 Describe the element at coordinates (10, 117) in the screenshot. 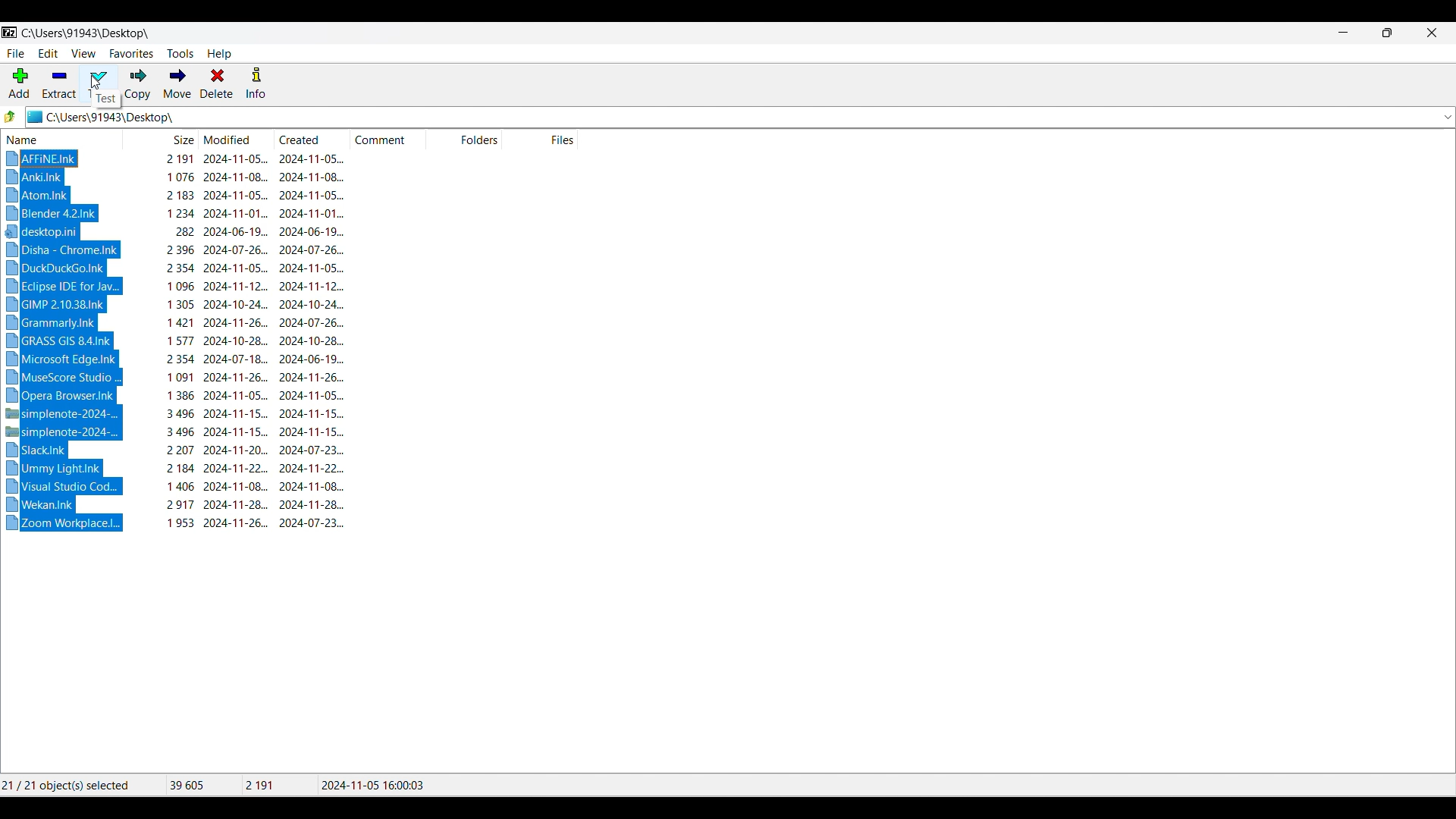

I see `Go to previous folder` at that location.